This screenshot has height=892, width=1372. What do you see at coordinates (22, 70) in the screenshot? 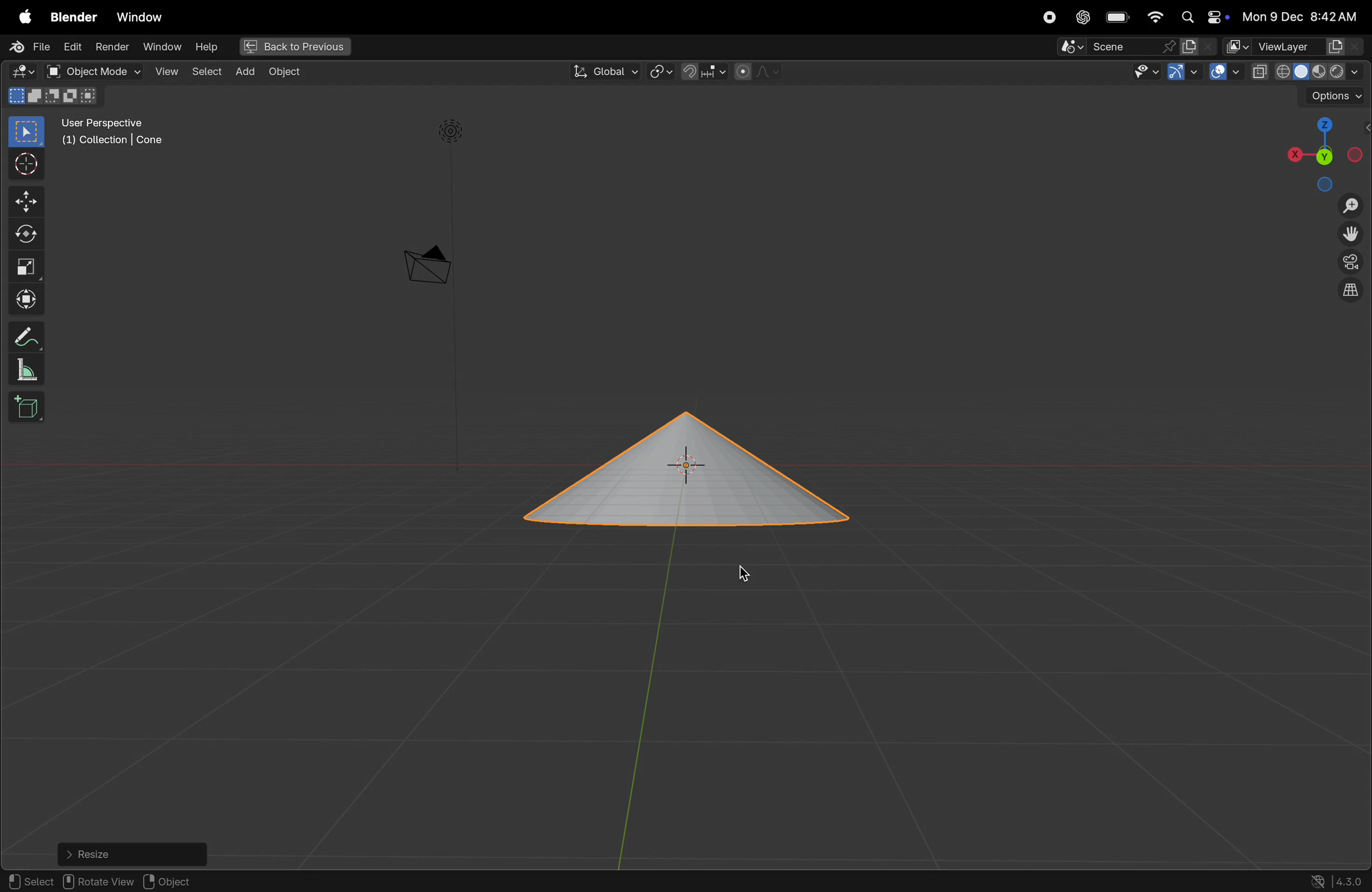
I see `editor type` at bounding box center [22, 70].